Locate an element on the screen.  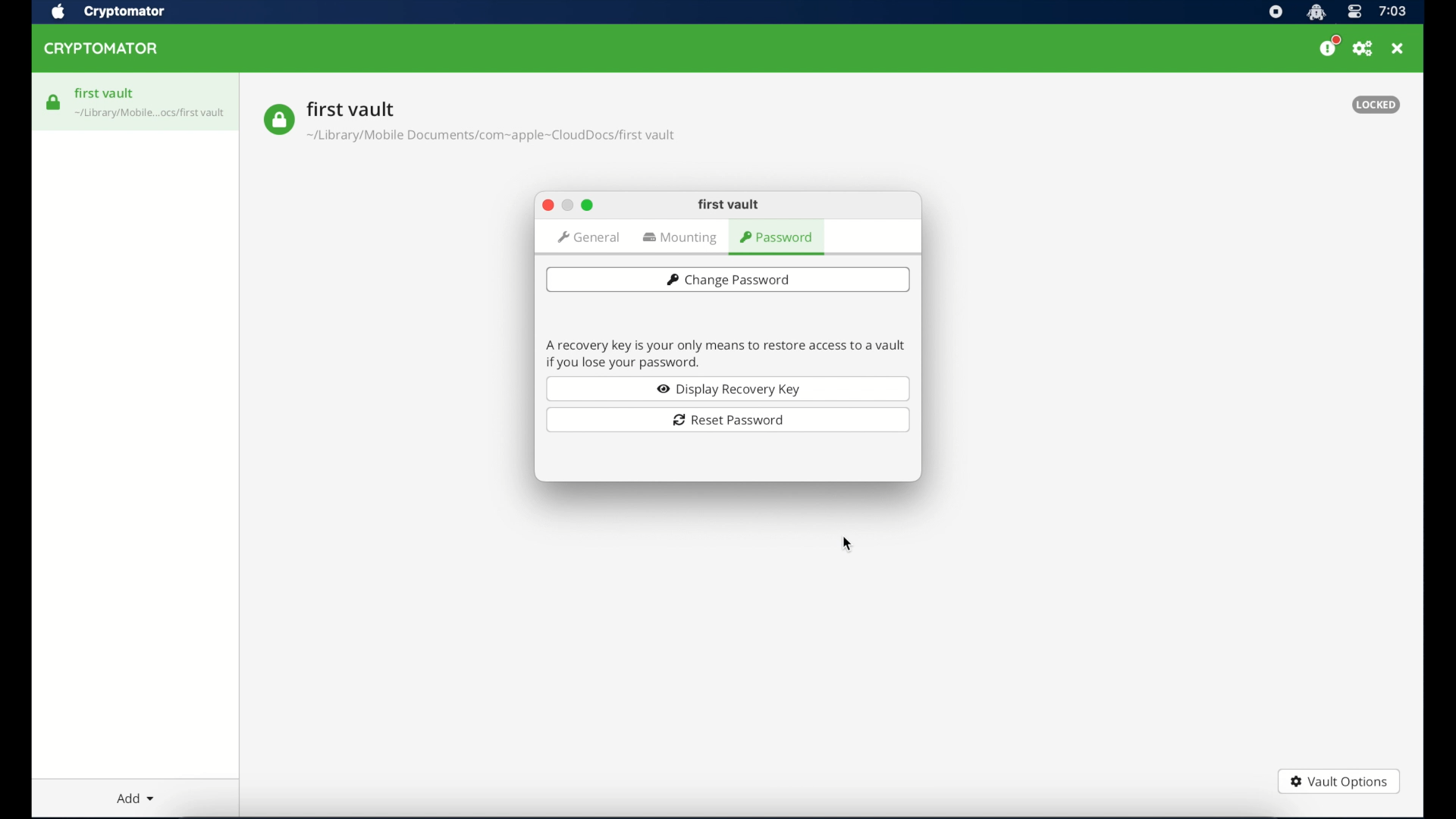
please consider donating is located at coordinates (1329, 46).